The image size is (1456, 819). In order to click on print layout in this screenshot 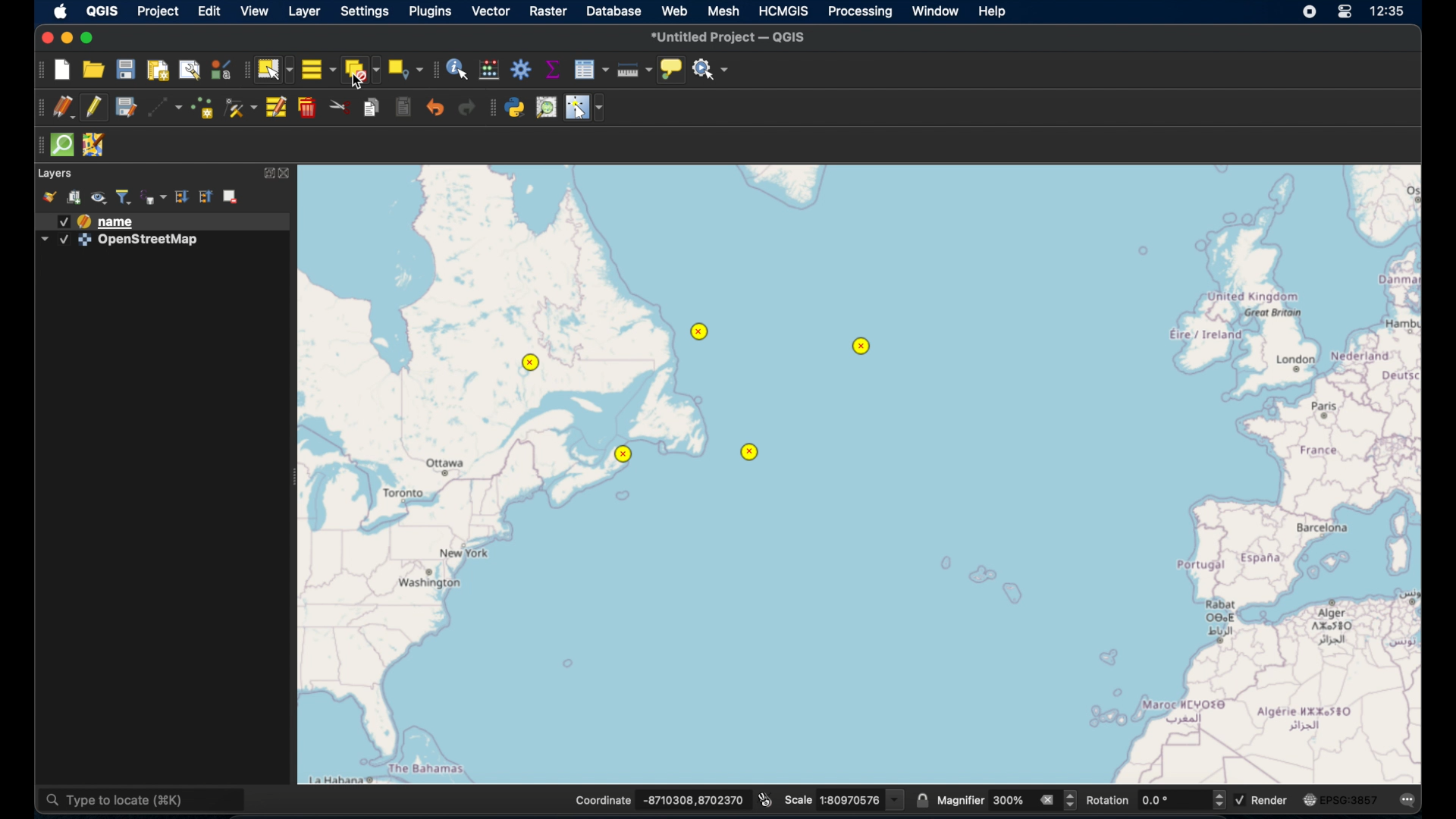, I will do `click(156, 70)`.